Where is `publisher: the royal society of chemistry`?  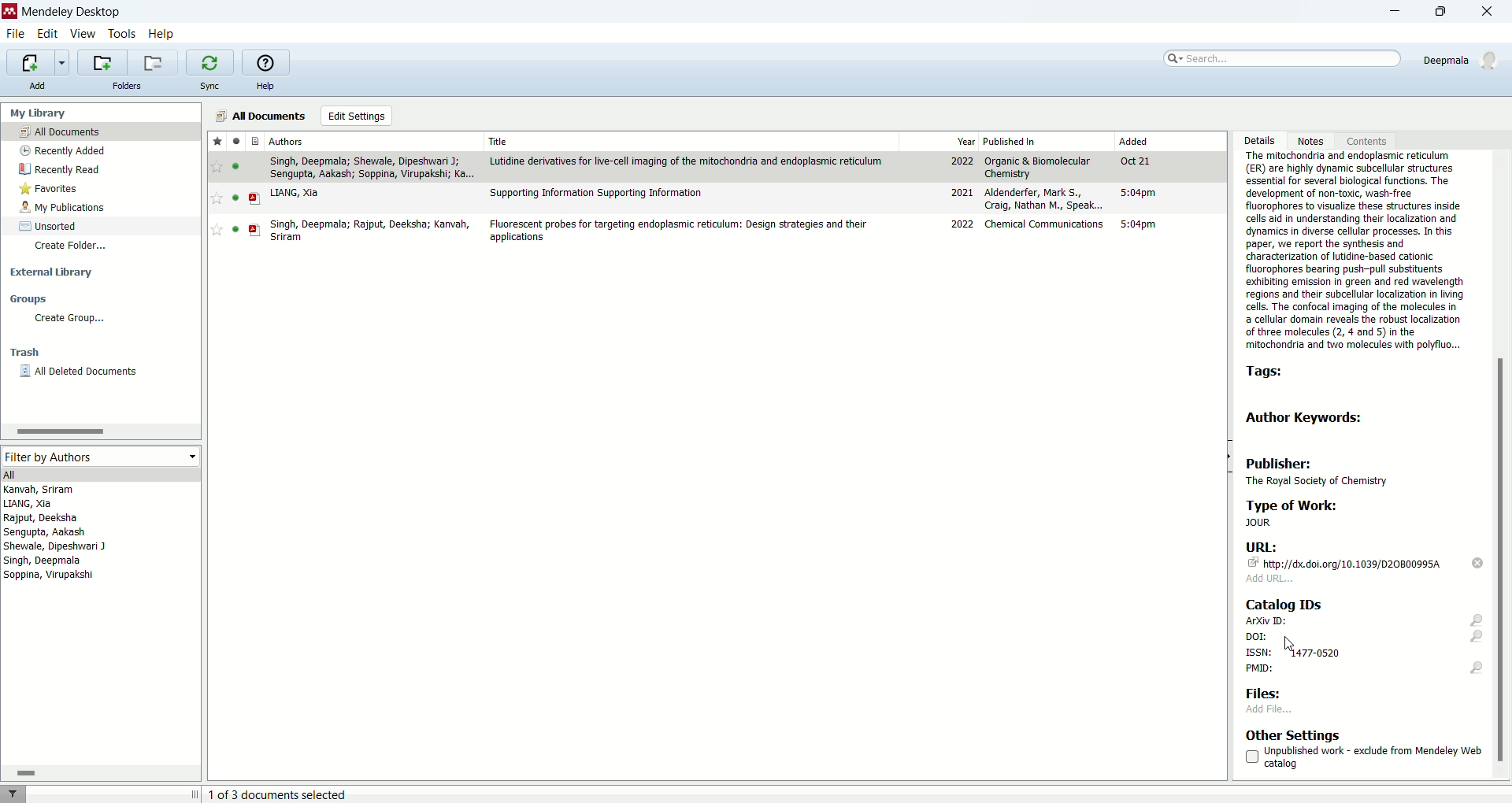 publisher: the royal society of chemistry is located at coordinates (1325, 470).